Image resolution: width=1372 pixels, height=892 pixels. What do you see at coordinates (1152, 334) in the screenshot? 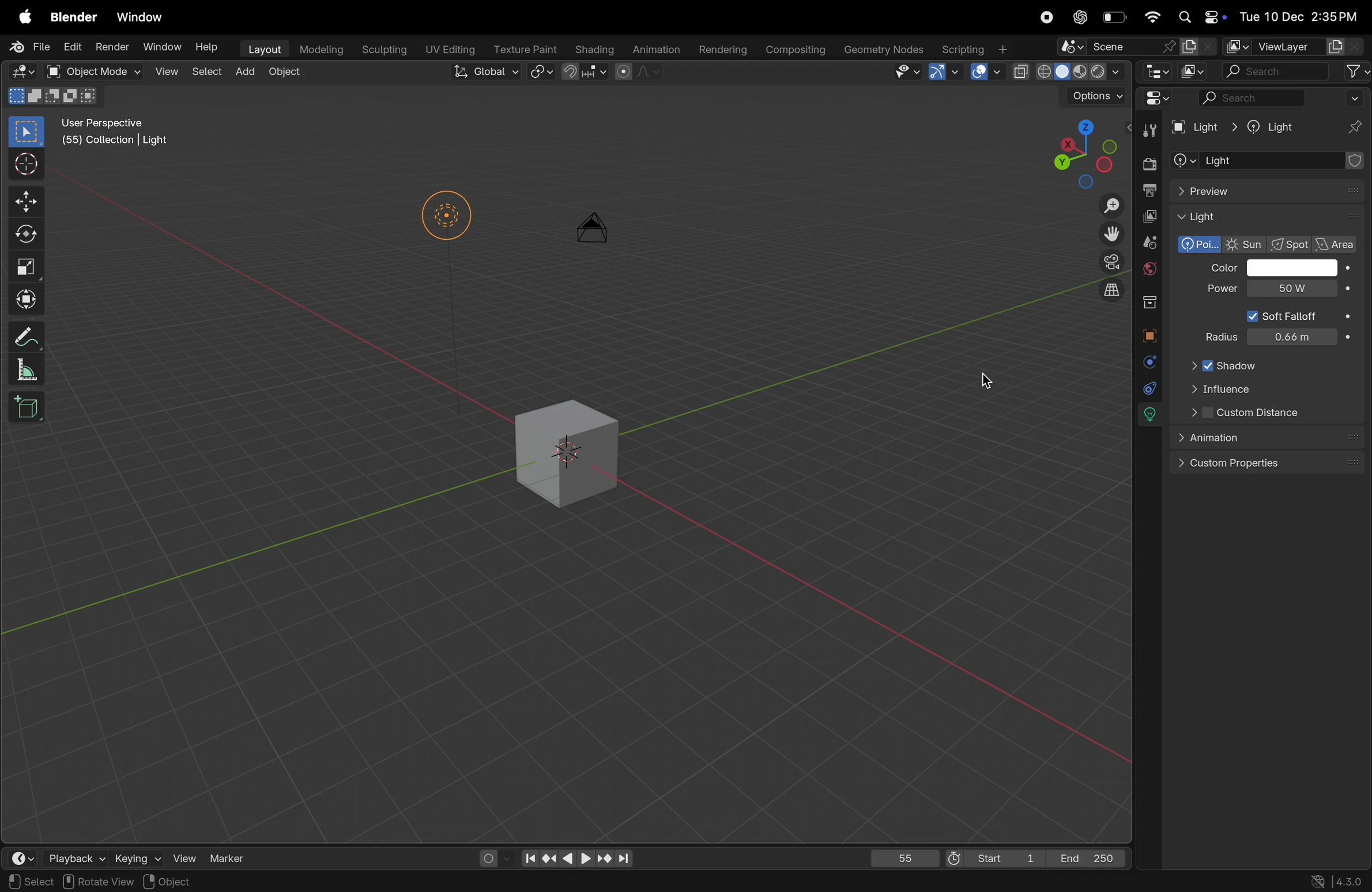
I see `object` at bounding box center [1152, 334].